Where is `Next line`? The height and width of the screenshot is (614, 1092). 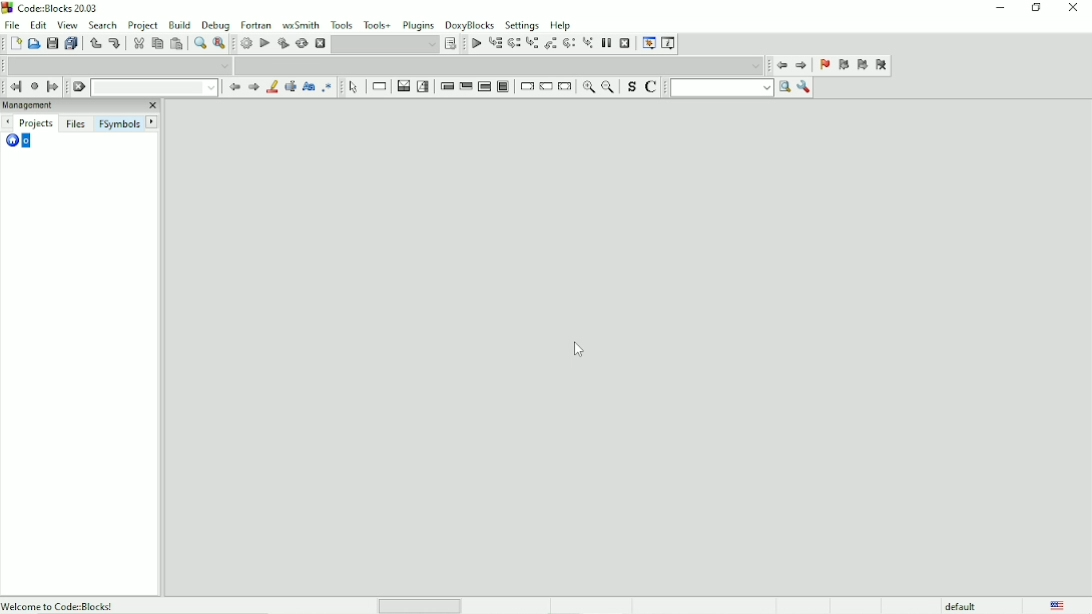 Next line is located at coordinates (514, 44).